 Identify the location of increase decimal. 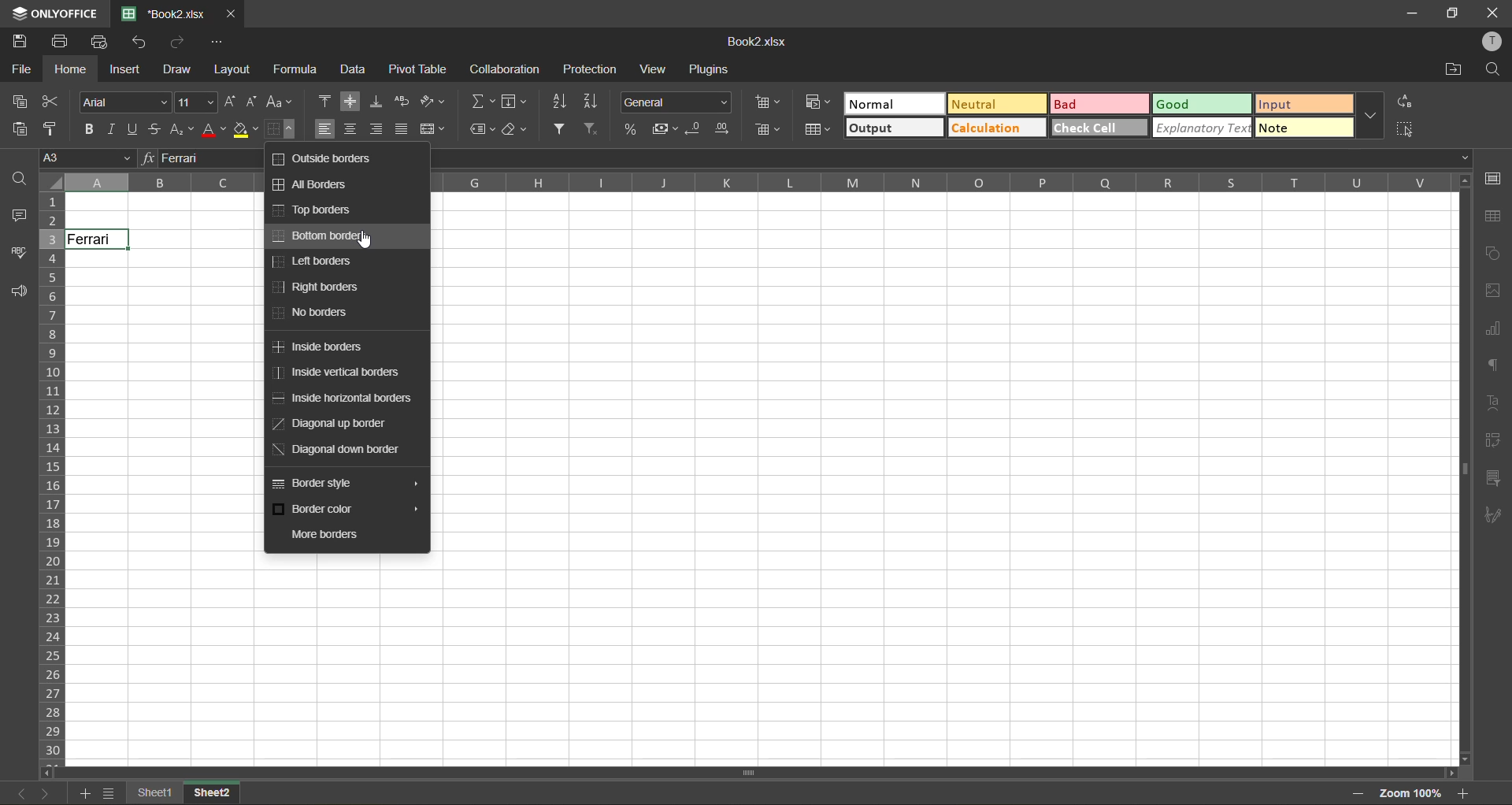
(725, 131).